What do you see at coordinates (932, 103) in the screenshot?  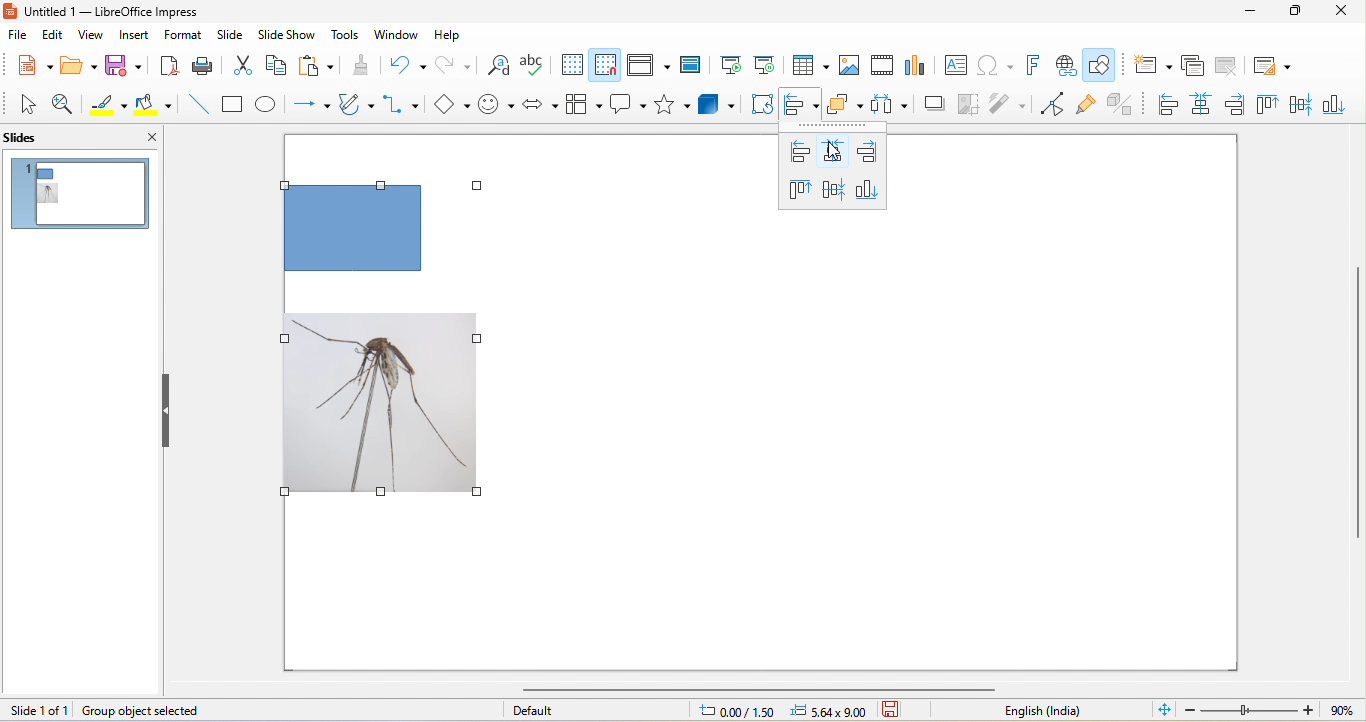 I see `shadow` at bounding box center [932, 103].